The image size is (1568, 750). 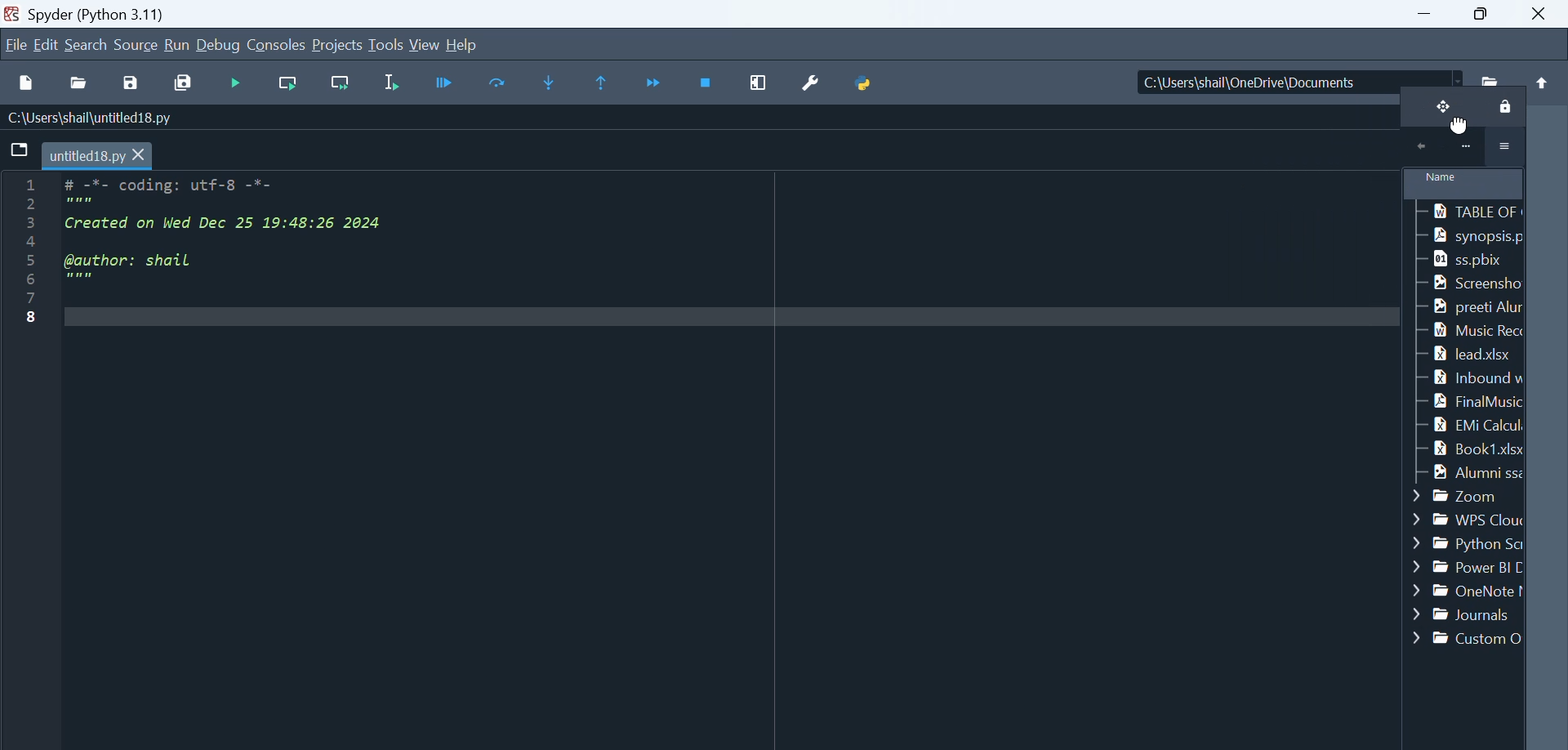 What do you see at coordinates (708, 83) in the screenshot?
I see `Stop debugging` at bounding box center [708, 83].